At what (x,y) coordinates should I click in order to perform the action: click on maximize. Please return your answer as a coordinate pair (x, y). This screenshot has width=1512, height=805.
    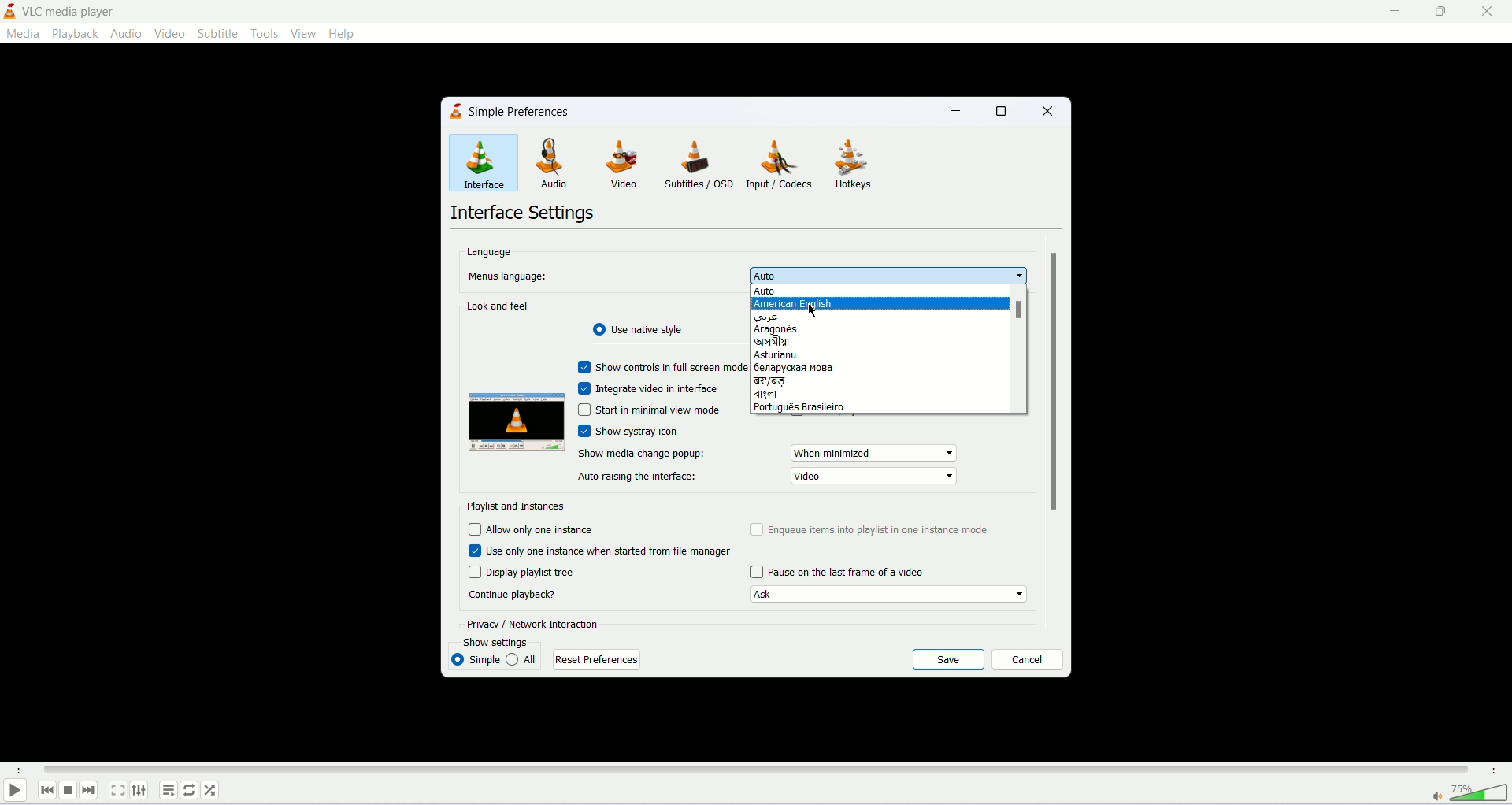
    Looking at the image, I should click on (1443, 12).